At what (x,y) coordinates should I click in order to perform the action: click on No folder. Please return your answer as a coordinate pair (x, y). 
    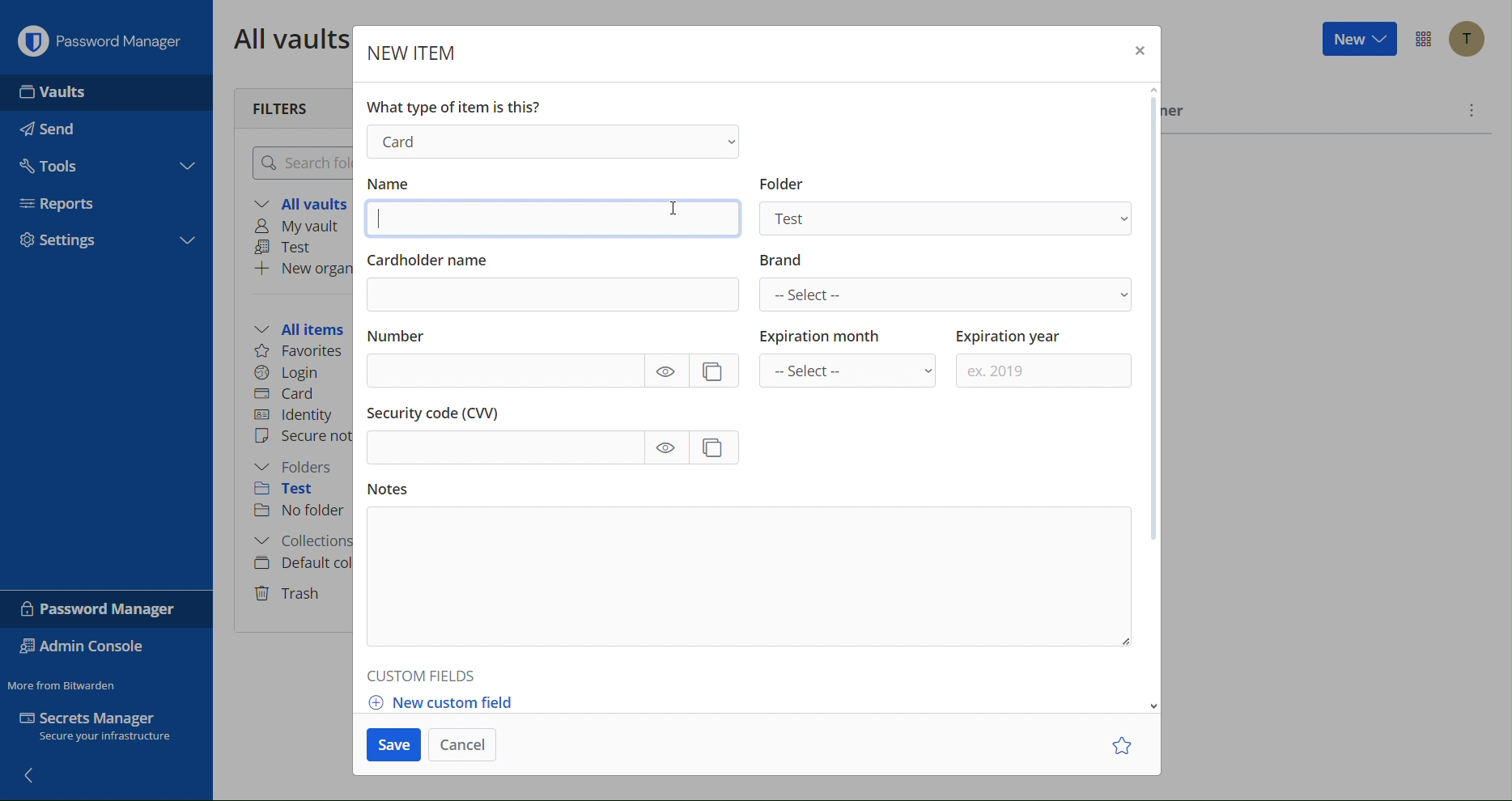
    Looking at the image, I should click on (307, 511).